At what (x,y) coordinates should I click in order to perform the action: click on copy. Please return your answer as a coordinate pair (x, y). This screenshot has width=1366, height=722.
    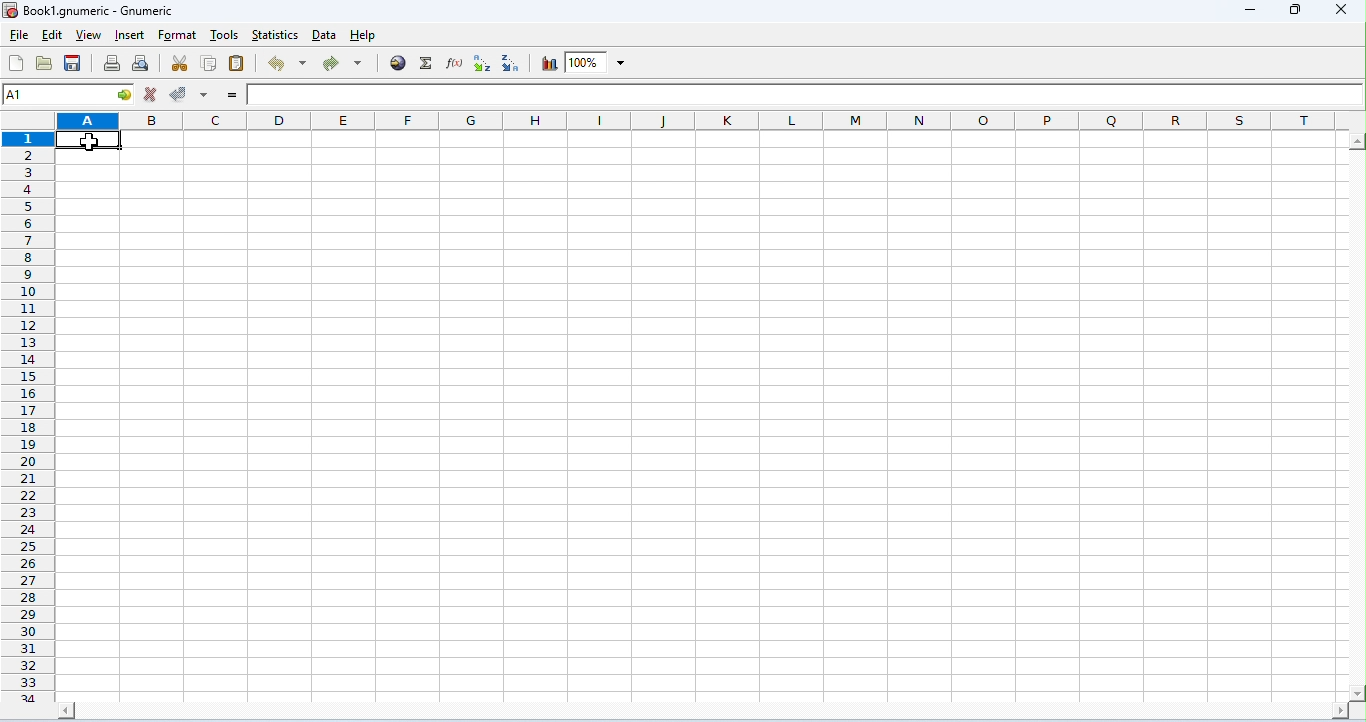
    Looking at the image, I should click on (208, 61).